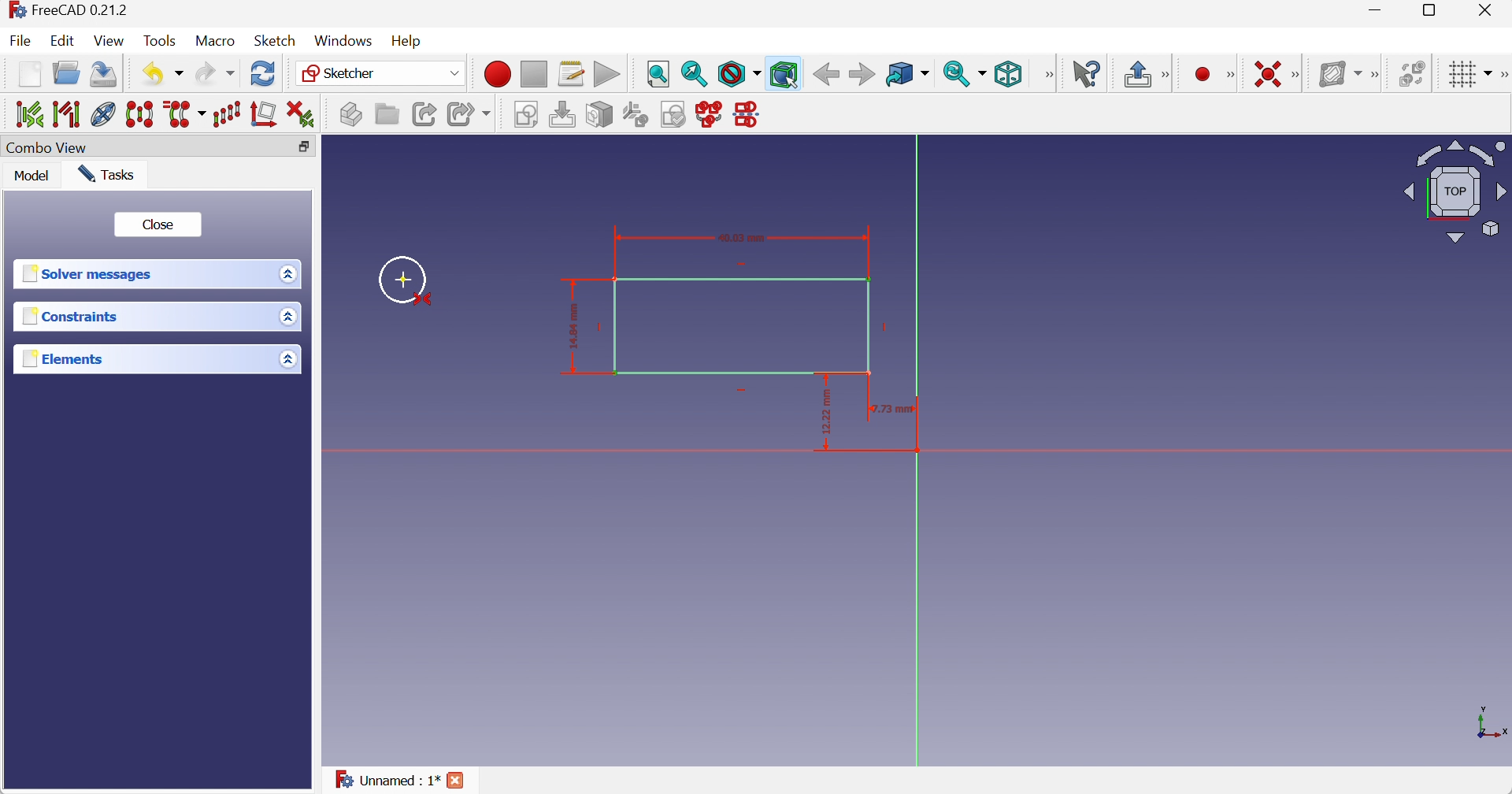 This screenshot has width=1512, height=794. I want to click on Map sketch to face..., so click(599, 116).